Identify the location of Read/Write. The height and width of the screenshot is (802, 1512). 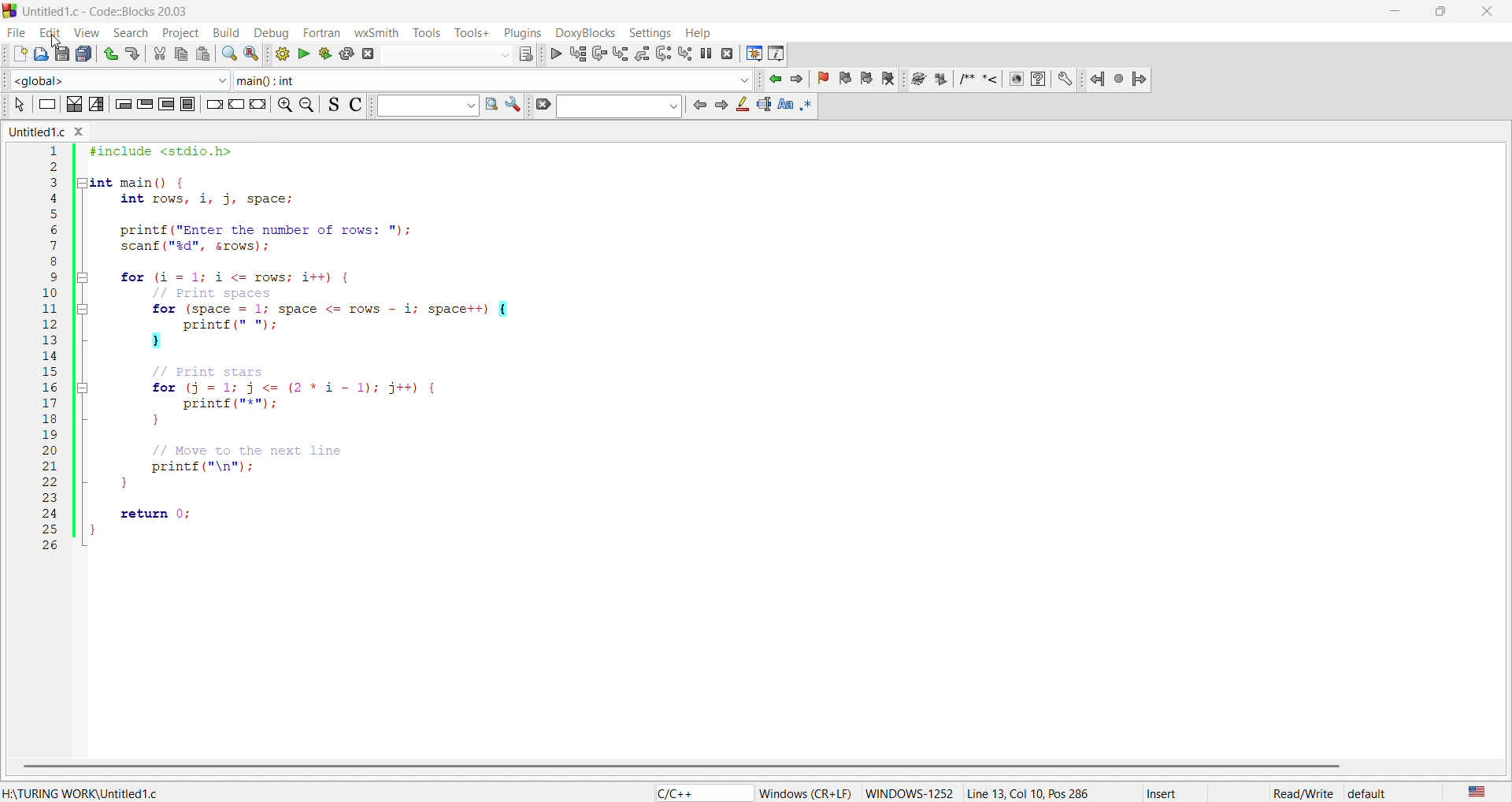
(1303, 793).